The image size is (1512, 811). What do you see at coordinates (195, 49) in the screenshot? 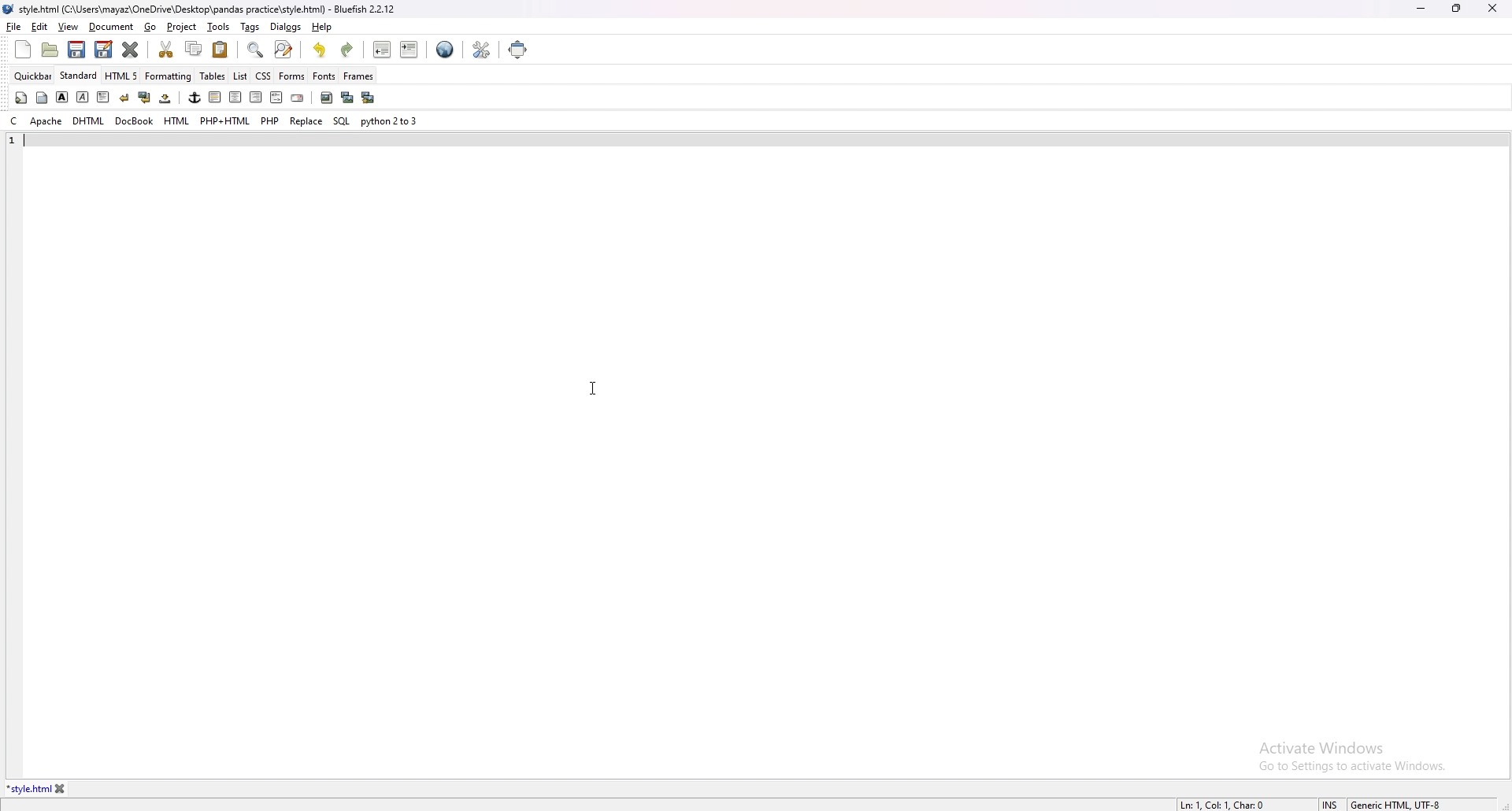
I see `copy` at bounding box center [195, 49].